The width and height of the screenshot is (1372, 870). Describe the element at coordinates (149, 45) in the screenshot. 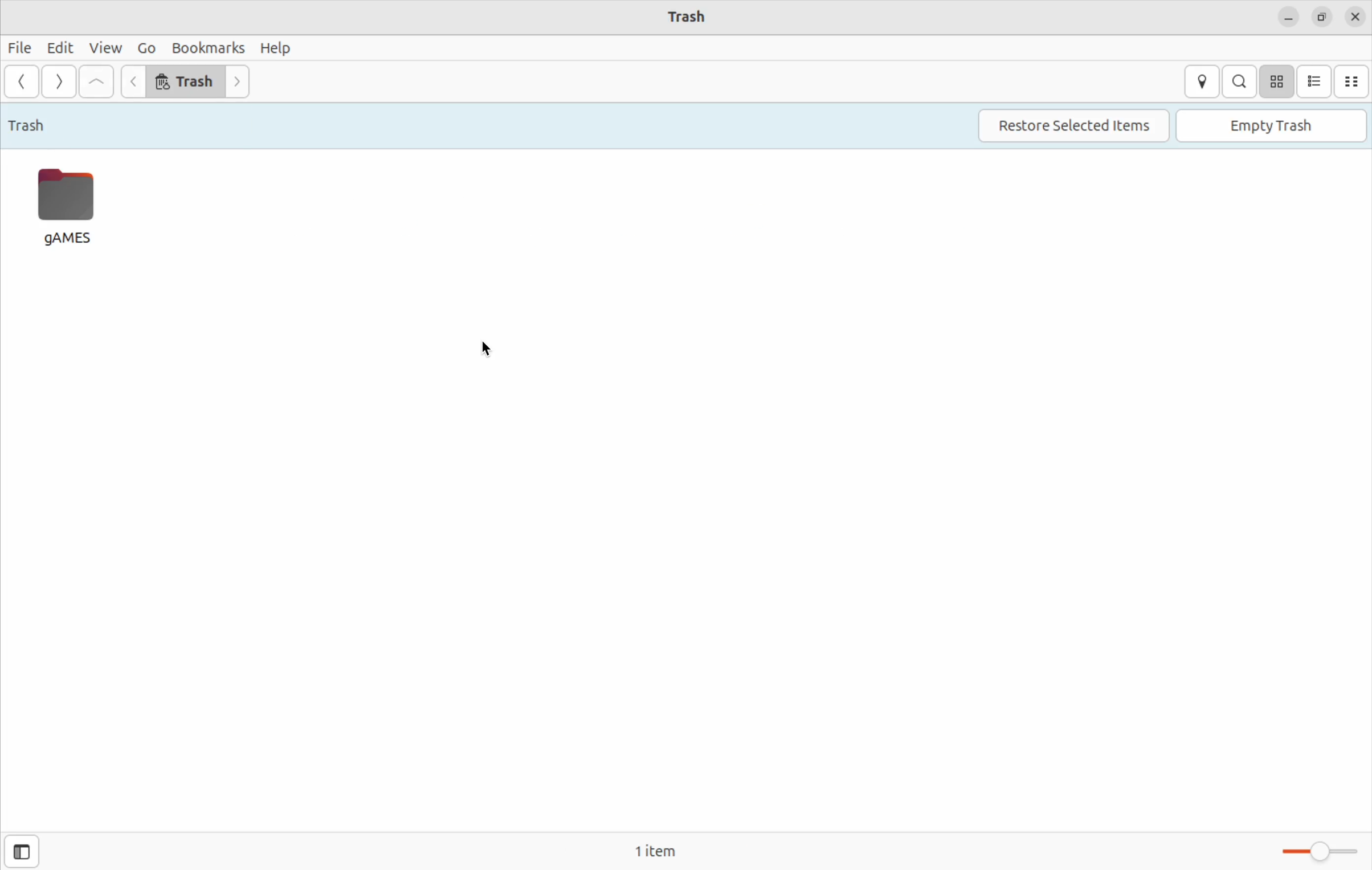

I see `Go ` at that location.